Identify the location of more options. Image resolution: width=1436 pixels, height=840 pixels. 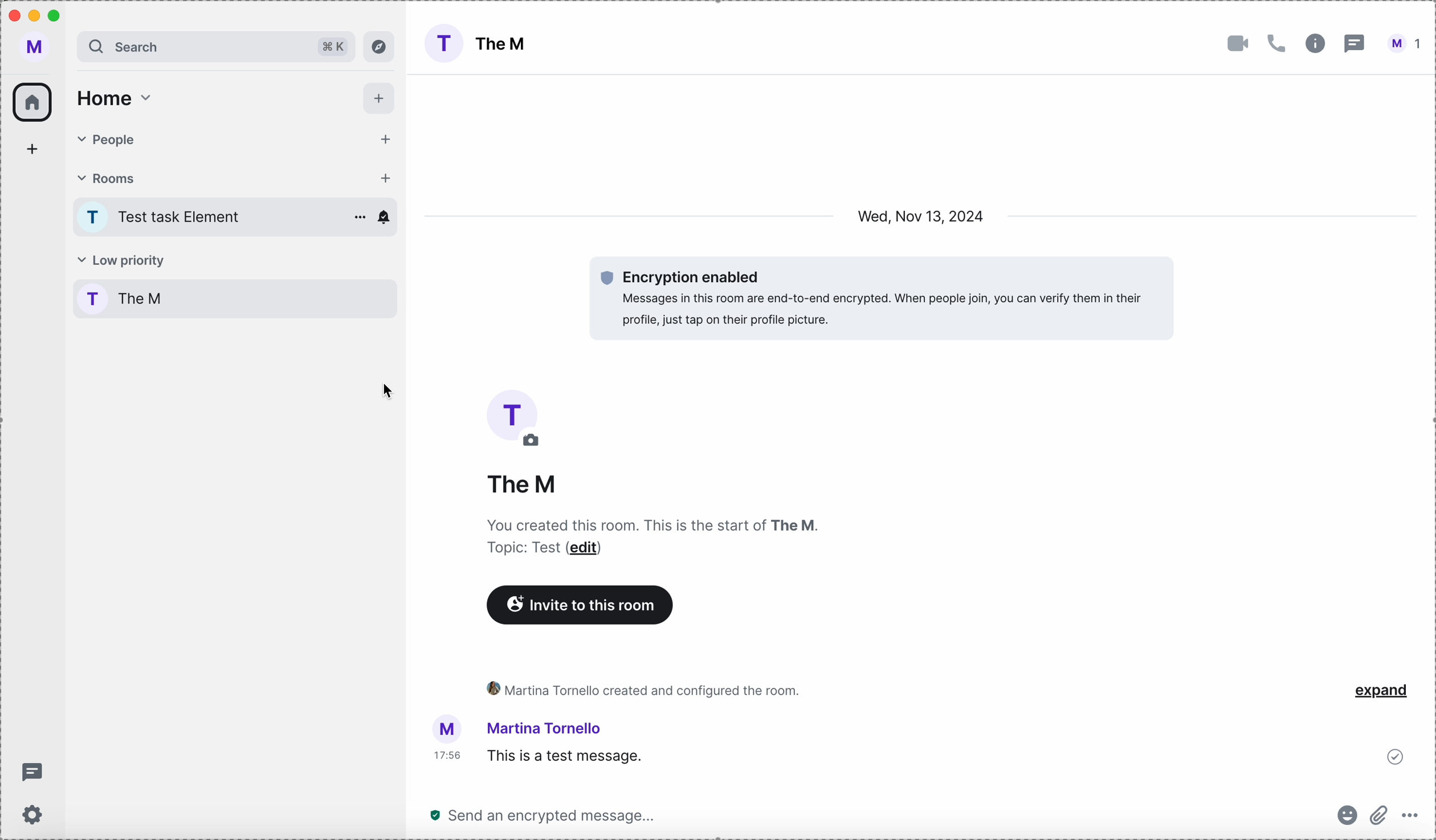
(1410, 815).